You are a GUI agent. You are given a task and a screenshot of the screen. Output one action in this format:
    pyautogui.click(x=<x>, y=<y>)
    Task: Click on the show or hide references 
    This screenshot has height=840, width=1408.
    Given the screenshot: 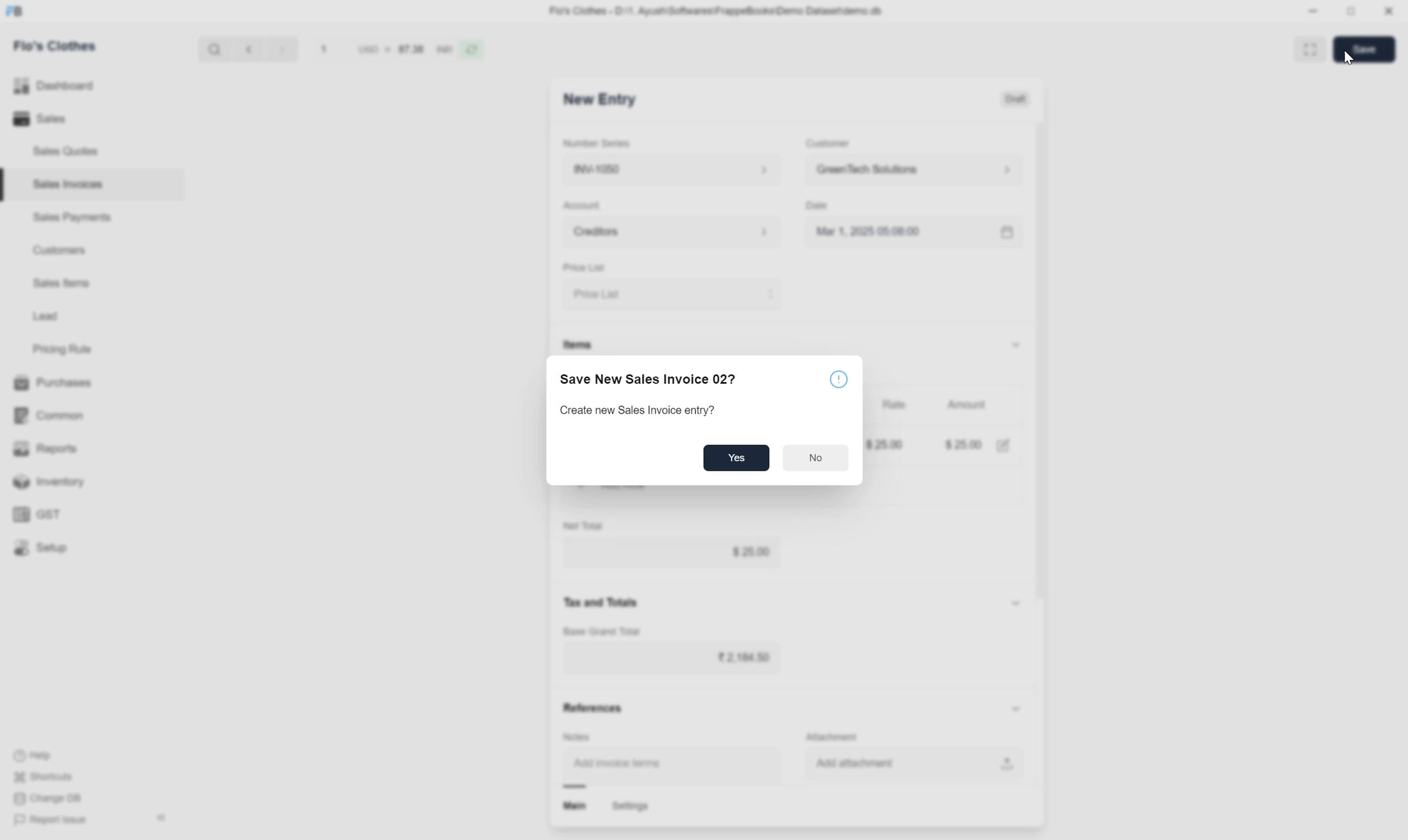 What is the action you would take?
    pyautogui.click(x=1020, y=705)
    